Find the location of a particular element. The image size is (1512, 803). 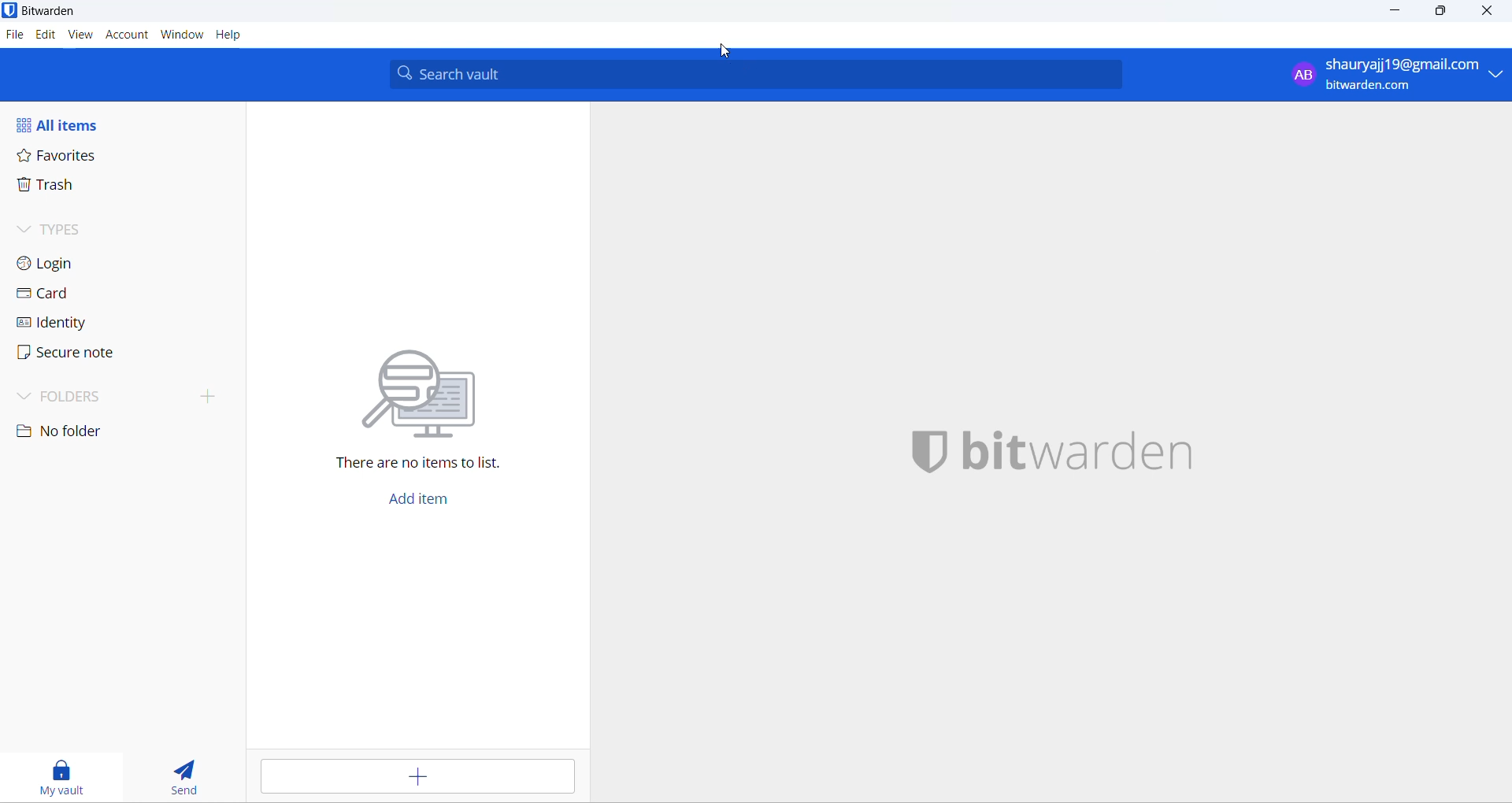

identity is located at coordinates (62, 325).